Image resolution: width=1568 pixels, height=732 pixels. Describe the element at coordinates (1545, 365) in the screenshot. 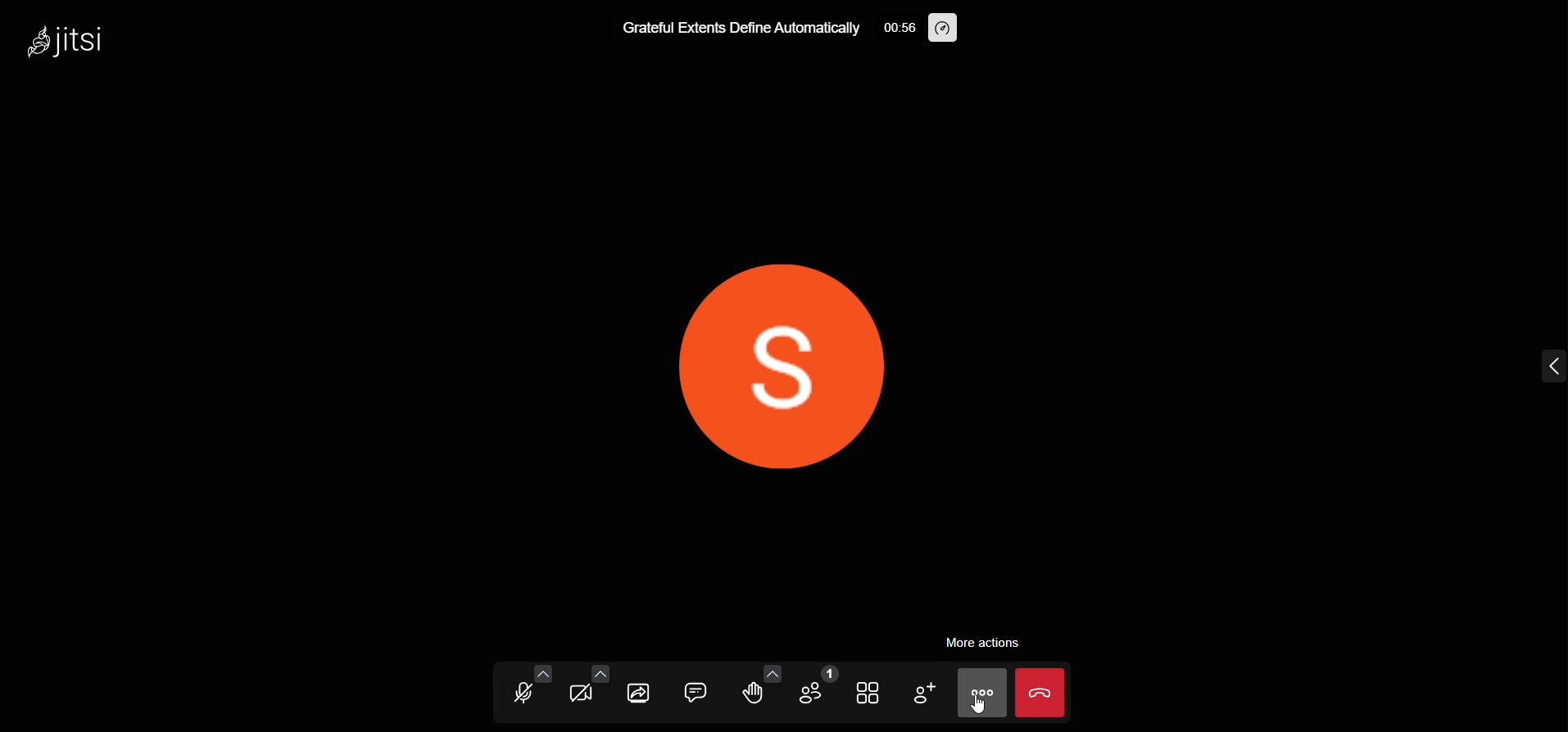

I see `expand` at that location.